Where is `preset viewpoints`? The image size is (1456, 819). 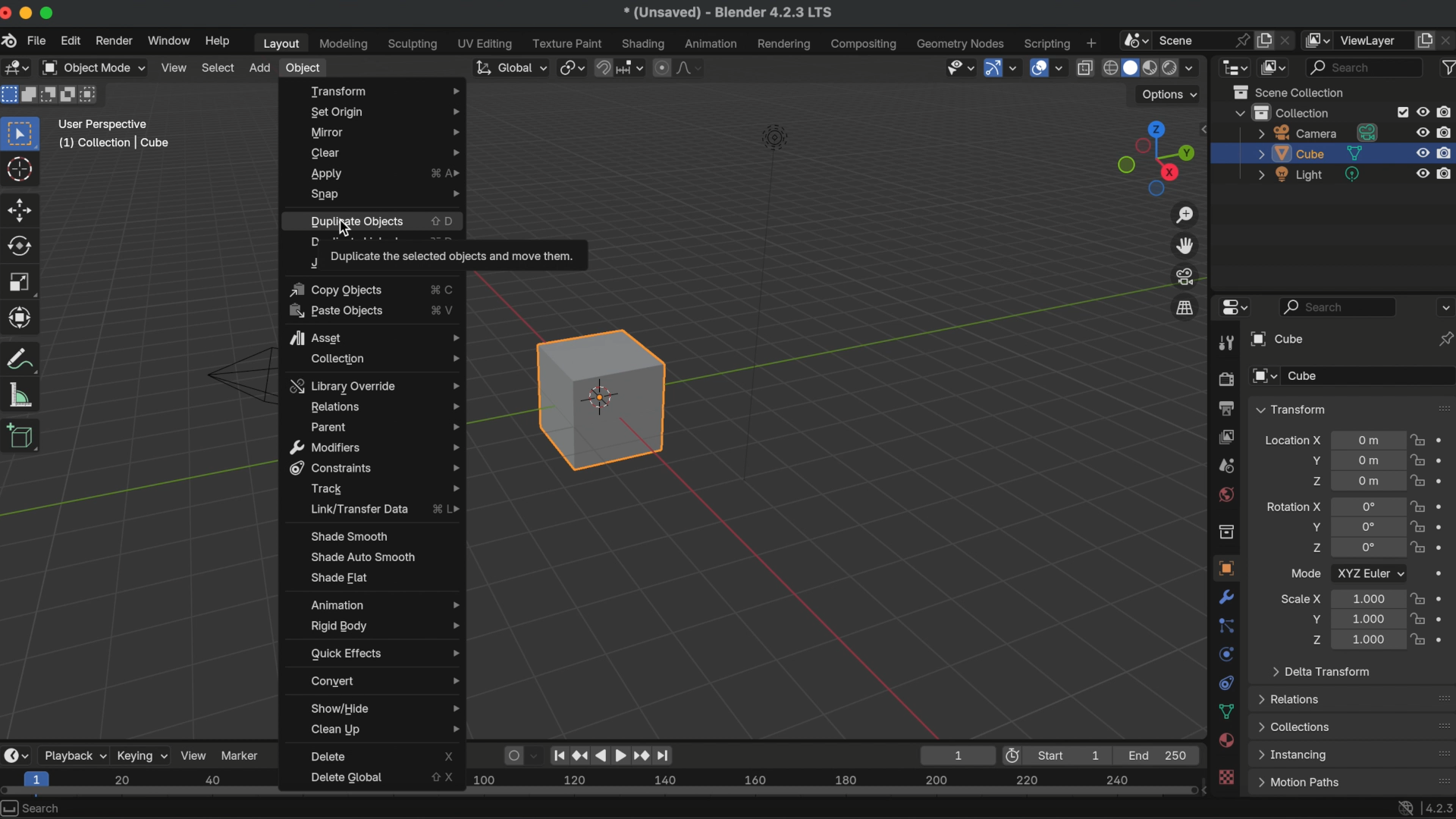
preset viewpoints is located at coordinates (1152, 158).